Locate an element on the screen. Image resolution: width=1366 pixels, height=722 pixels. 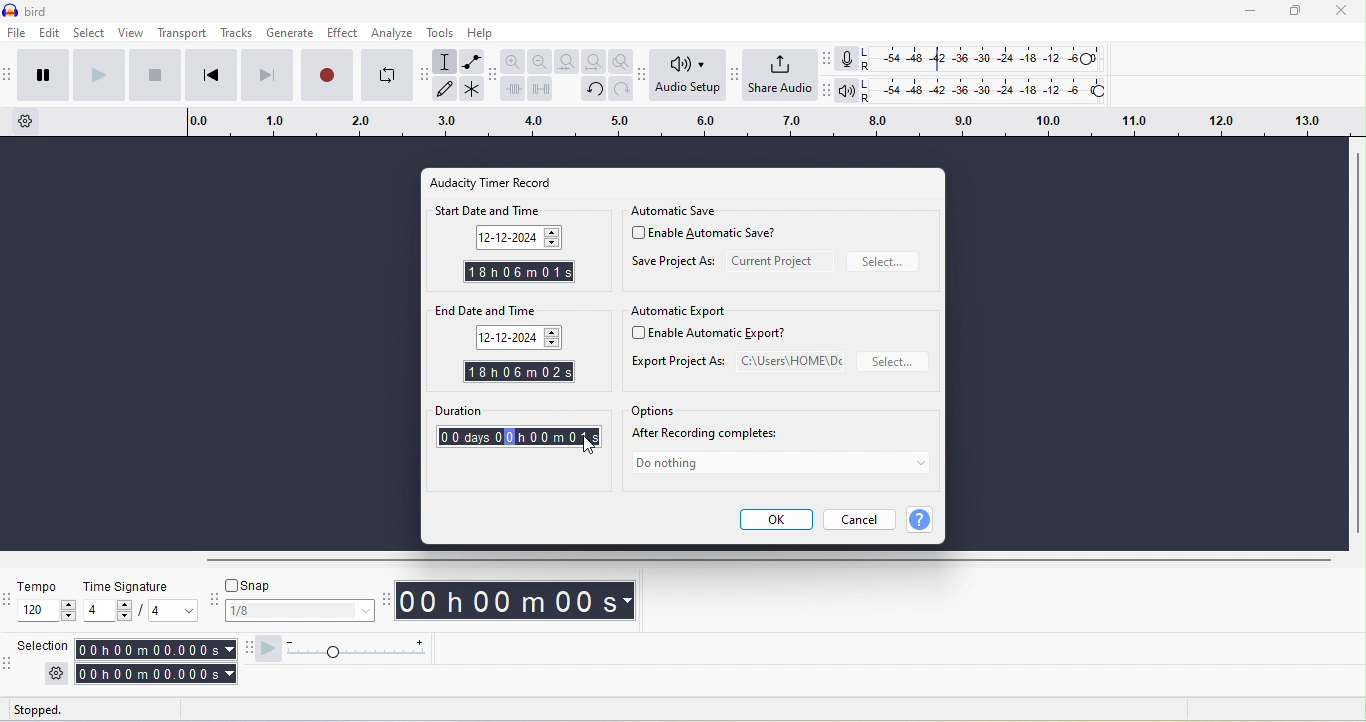
save project as is located at coordinates (673, 264).